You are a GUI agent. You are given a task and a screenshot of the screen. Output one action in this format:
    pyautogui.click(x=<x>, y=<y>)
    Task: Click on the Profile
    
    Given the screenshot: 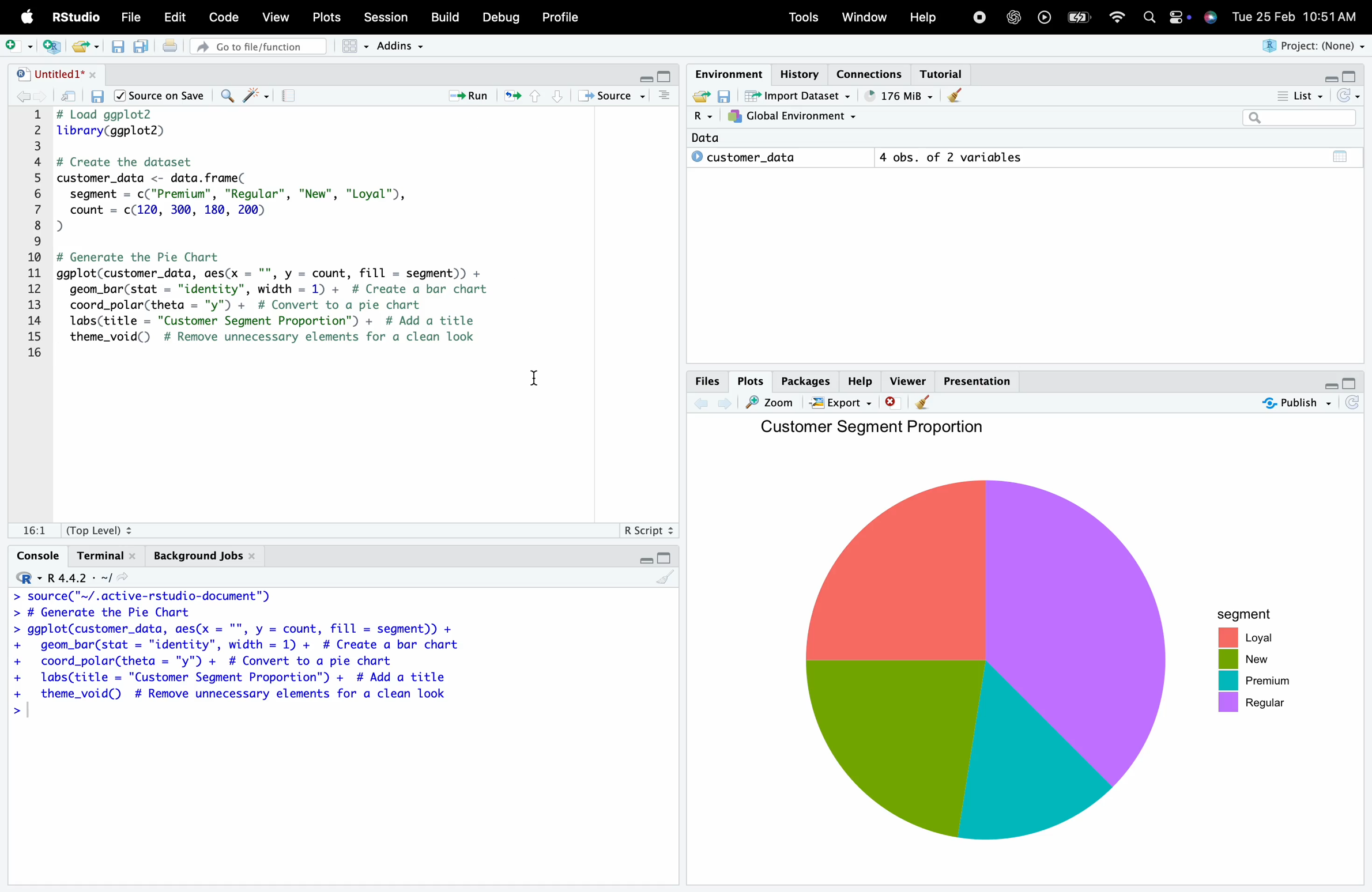 What is the action you would take?
    pyautogui.click(x=566, y=16)
    